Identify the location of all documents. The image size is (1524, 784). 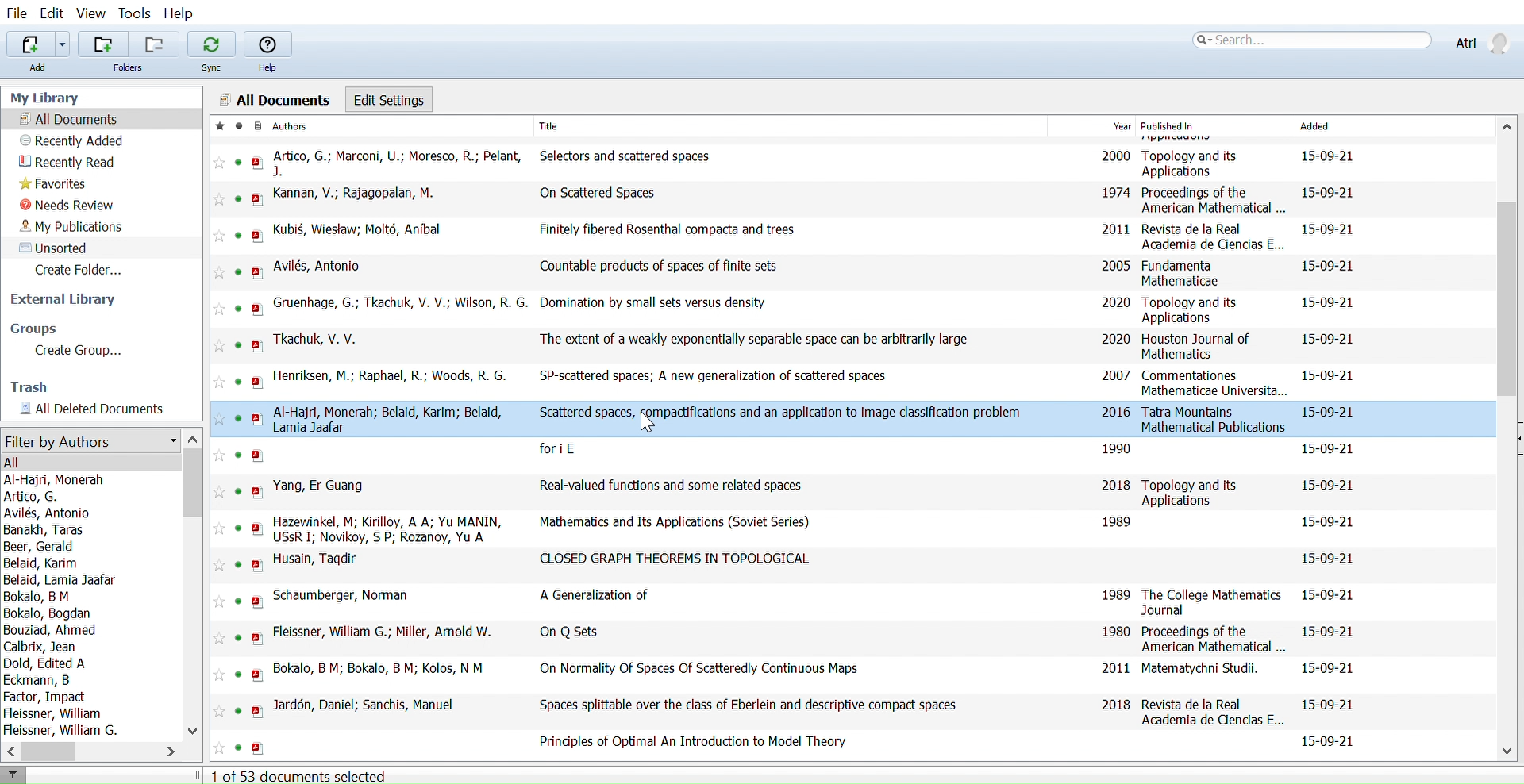
(275, 98).